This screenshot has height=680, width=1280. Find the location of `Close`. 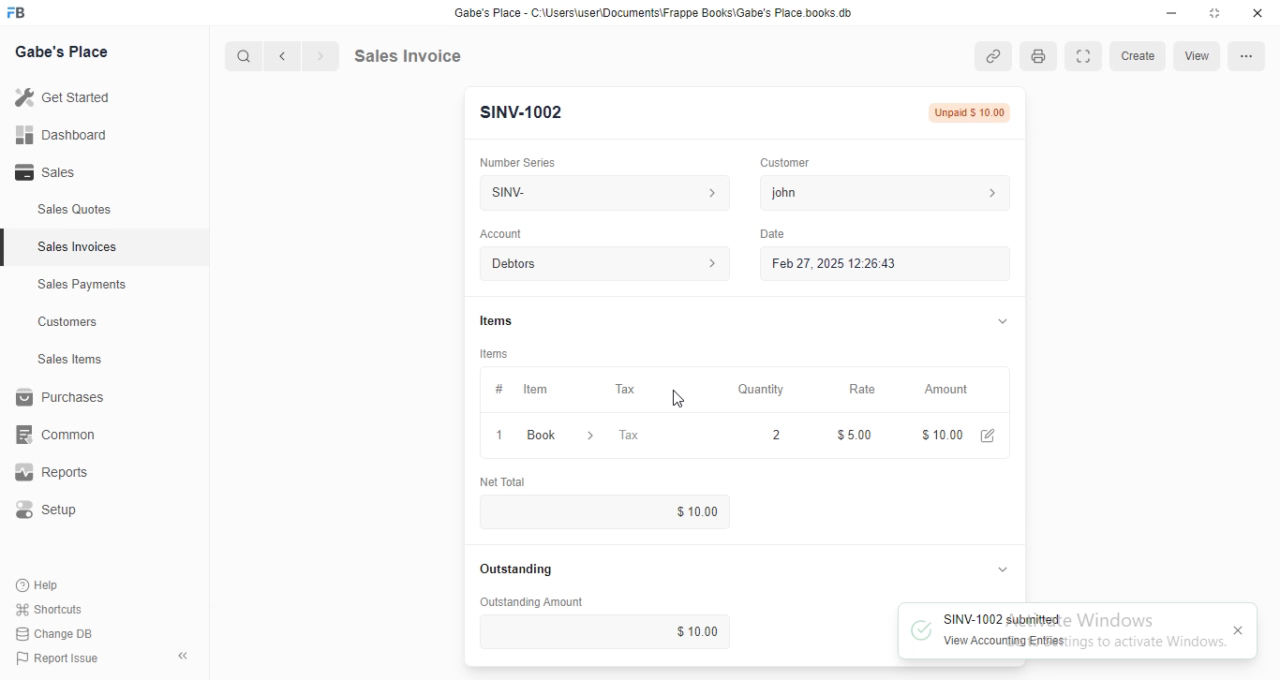

Close is located at coordinates (1257, 14).